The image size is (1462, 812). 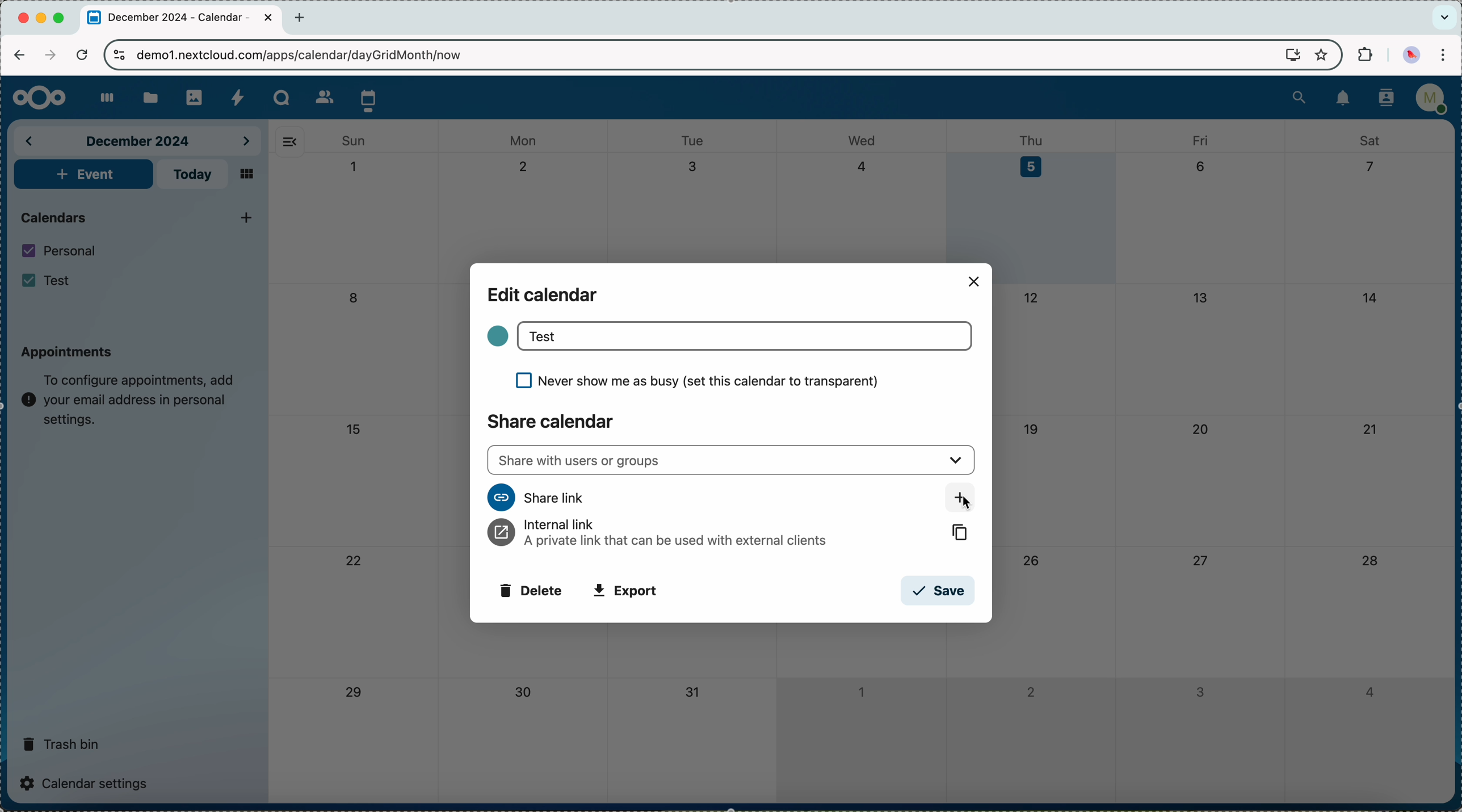 I want to click on 4, so click(x=863, y=166).